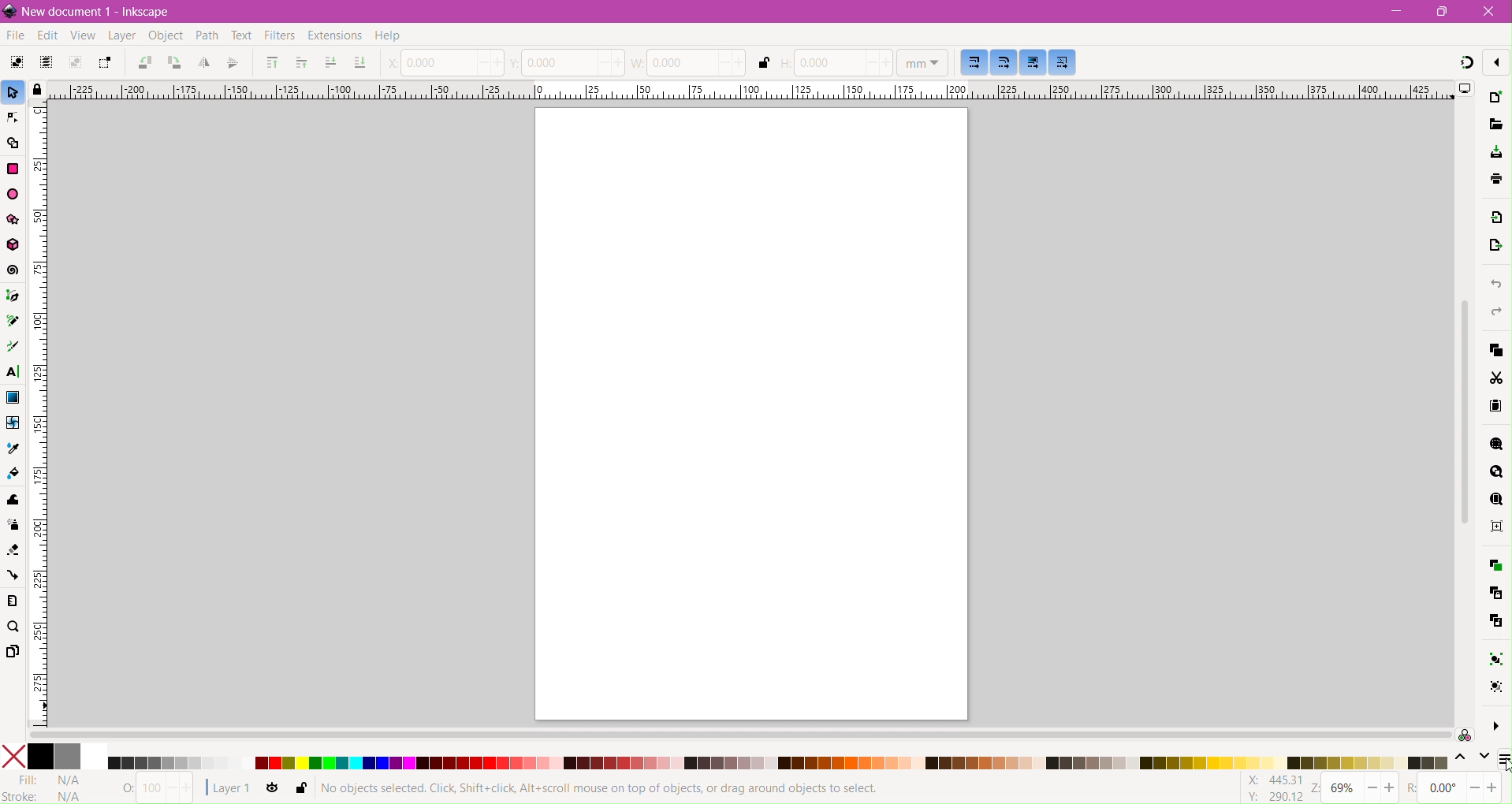 This screenshot has width=1512, height=804. What do you see at coordinates (13, 219) in the screenshot?
I see `Star/Polygon Tool` at bounding box center [13, 219].